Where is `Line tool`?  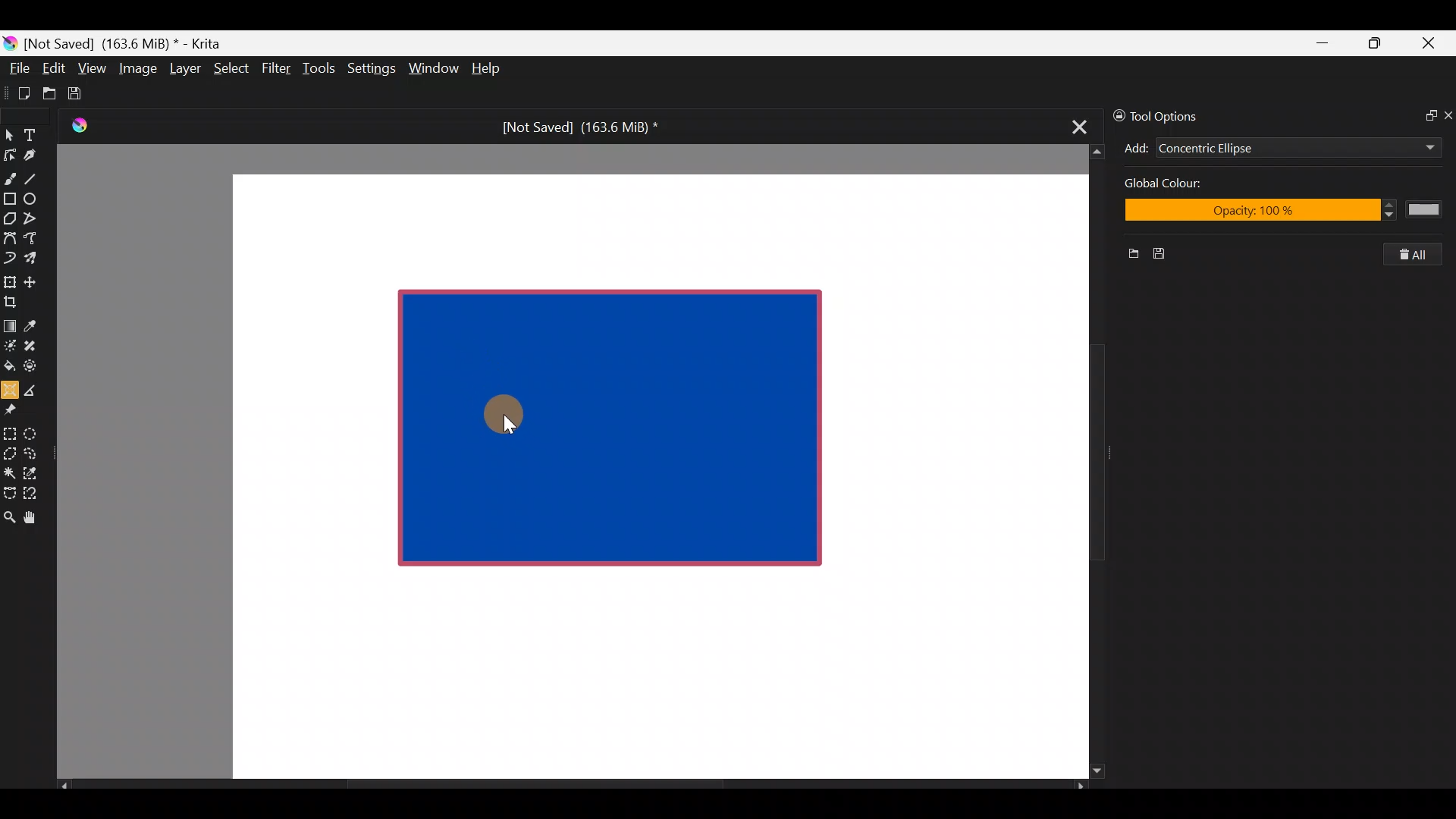 Line tool is located at coordinates (40, 177).